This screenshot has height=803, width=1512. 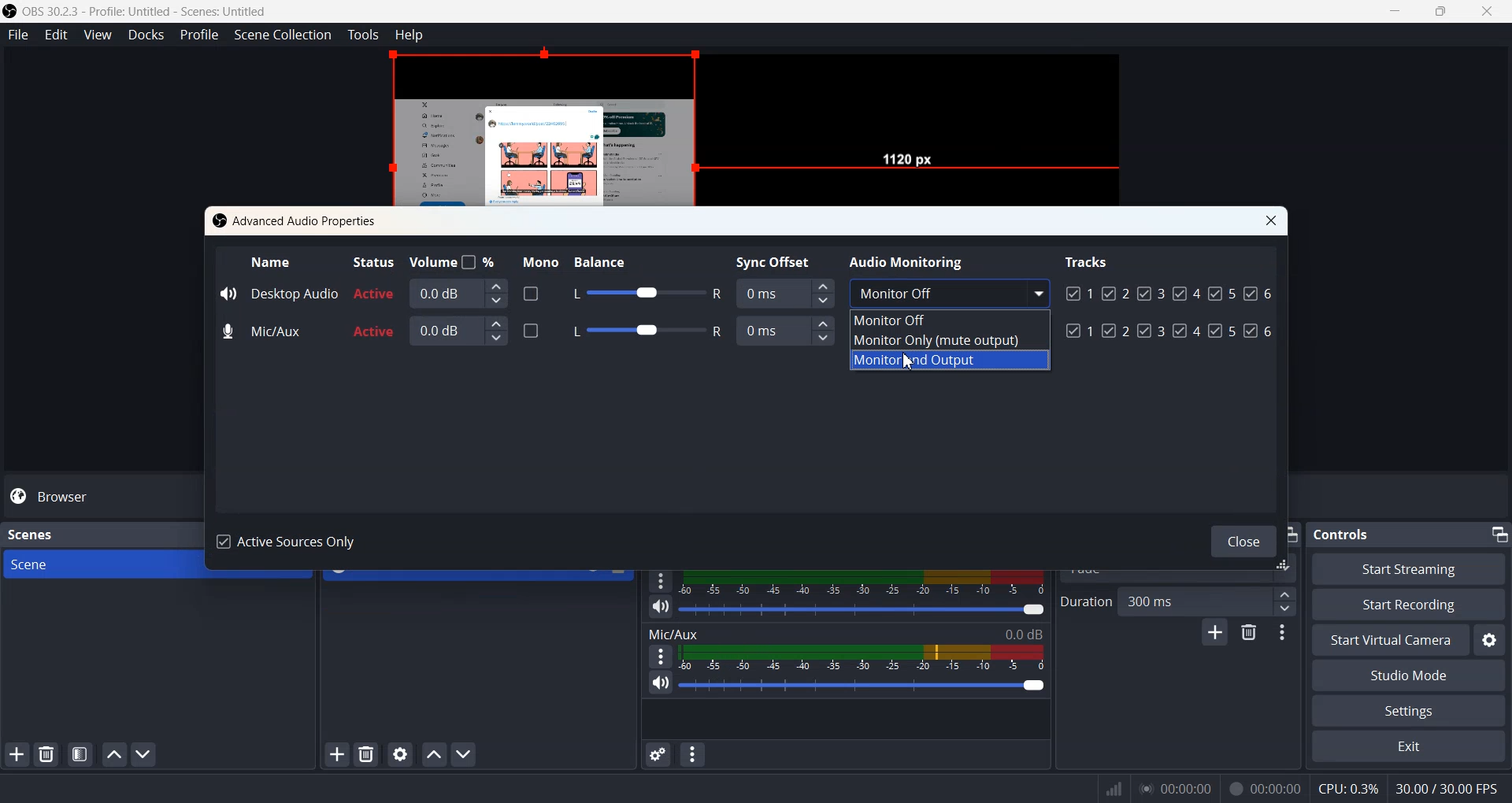 What do you see at coordinates (434, 754) in the screenshot?
I see `Move sources up` at bounding box center [434, 754].